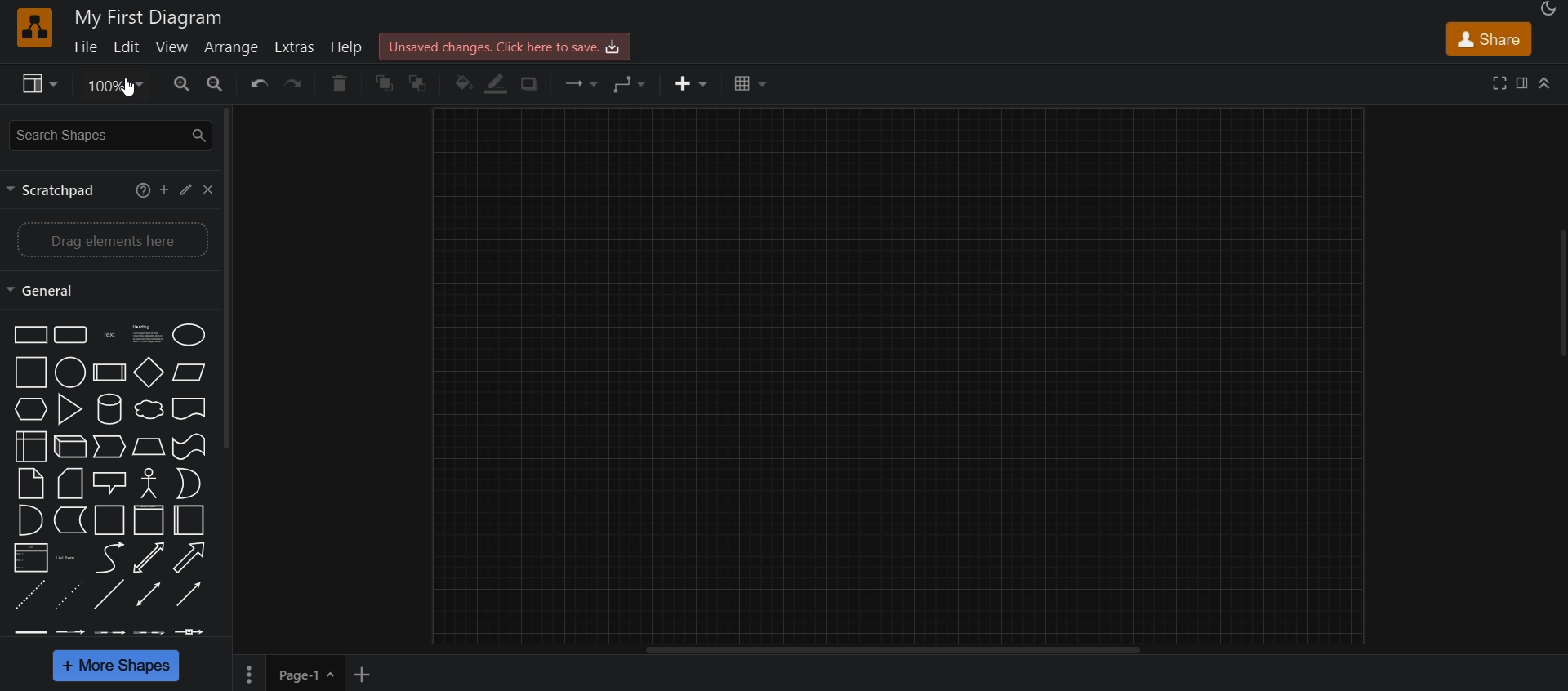 The height and width of the screenshot is (691, 1568). I want to click on horizontal scroll bar, so click(899, 651).